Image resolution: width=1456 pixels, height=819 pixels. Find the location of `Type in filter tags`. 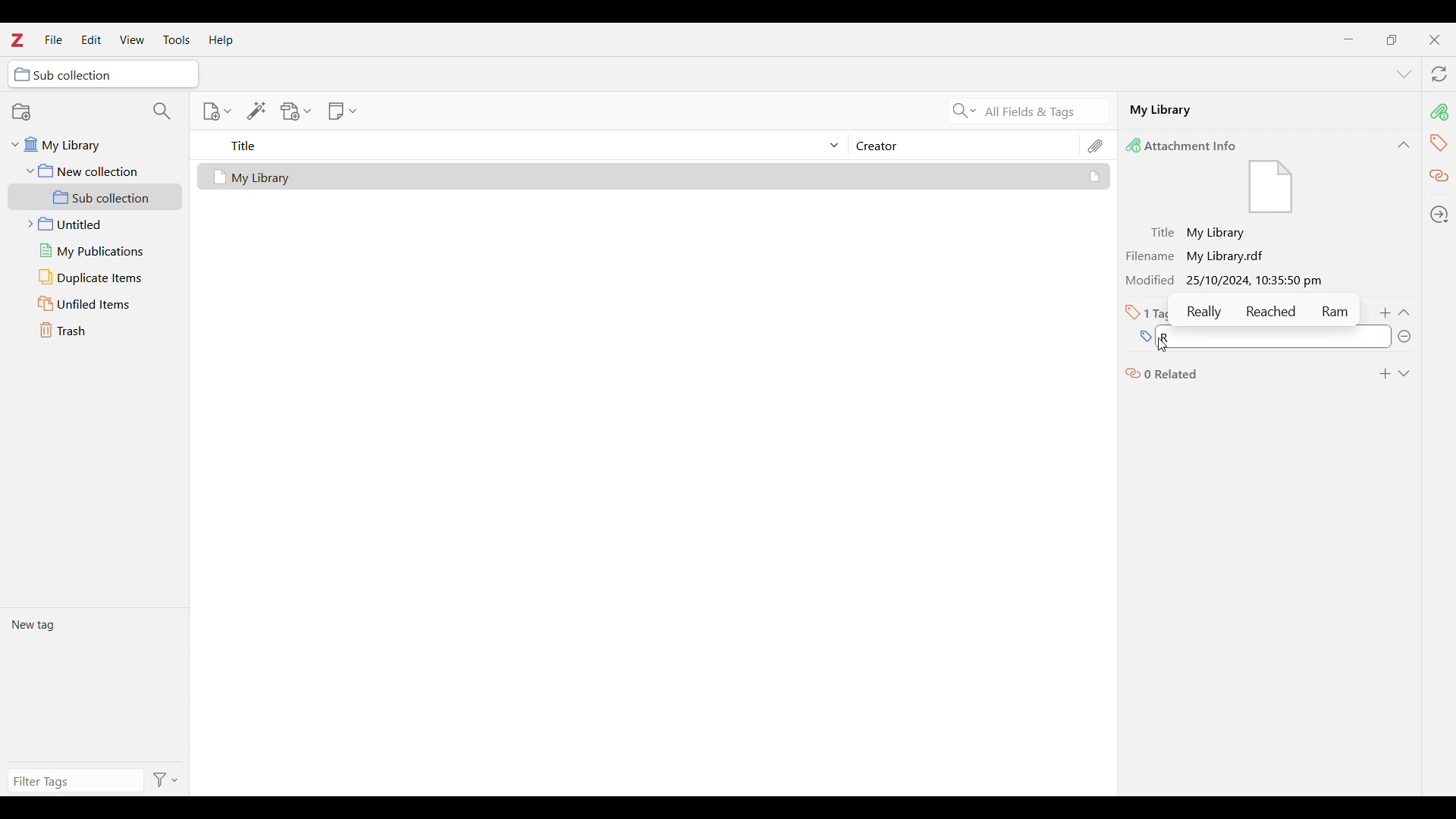

Type in filter tags is located at coordinates (73, 783).